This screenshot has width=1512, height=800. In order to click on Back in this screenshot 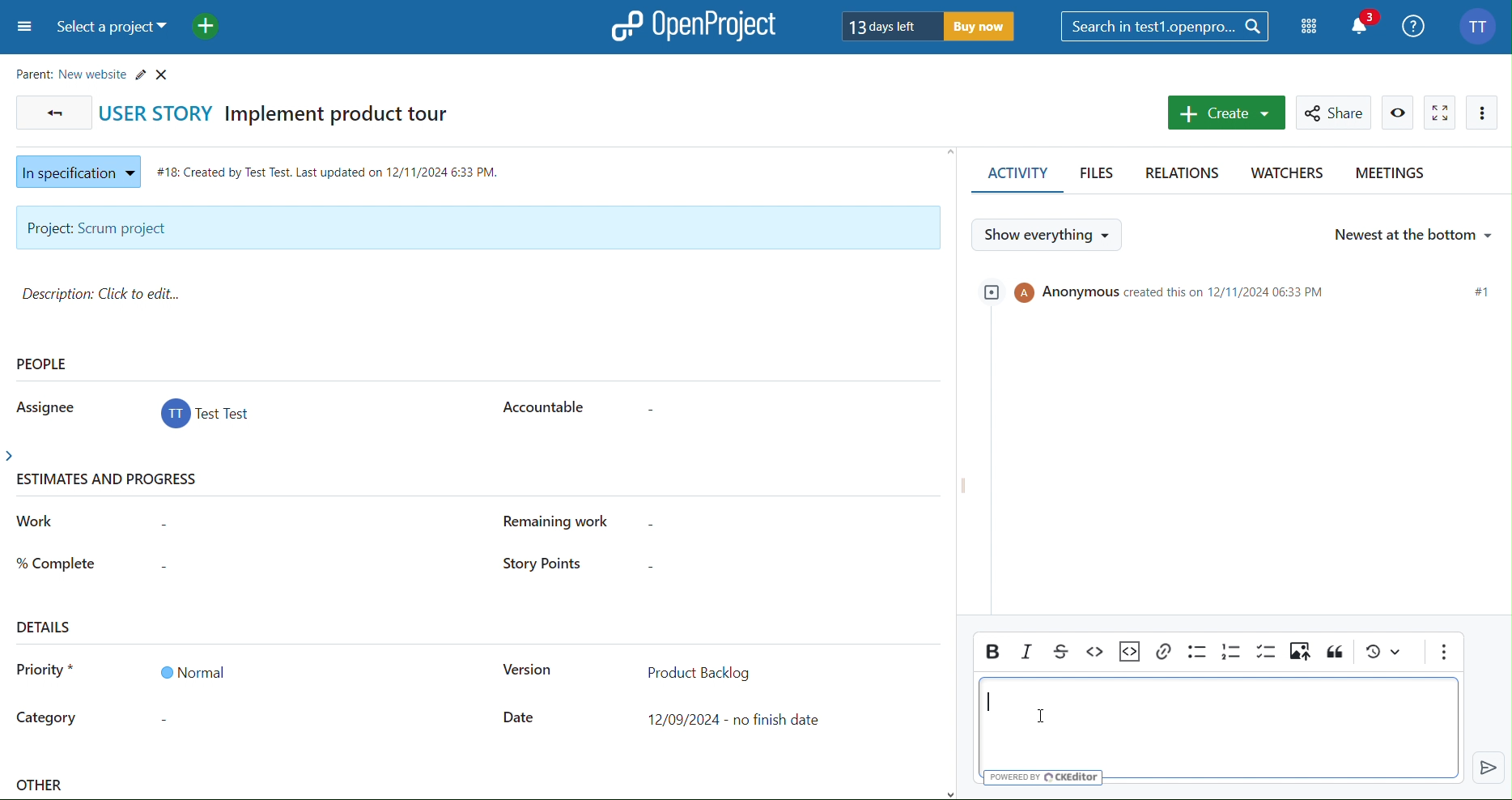, I will do `click(51, 112)`.